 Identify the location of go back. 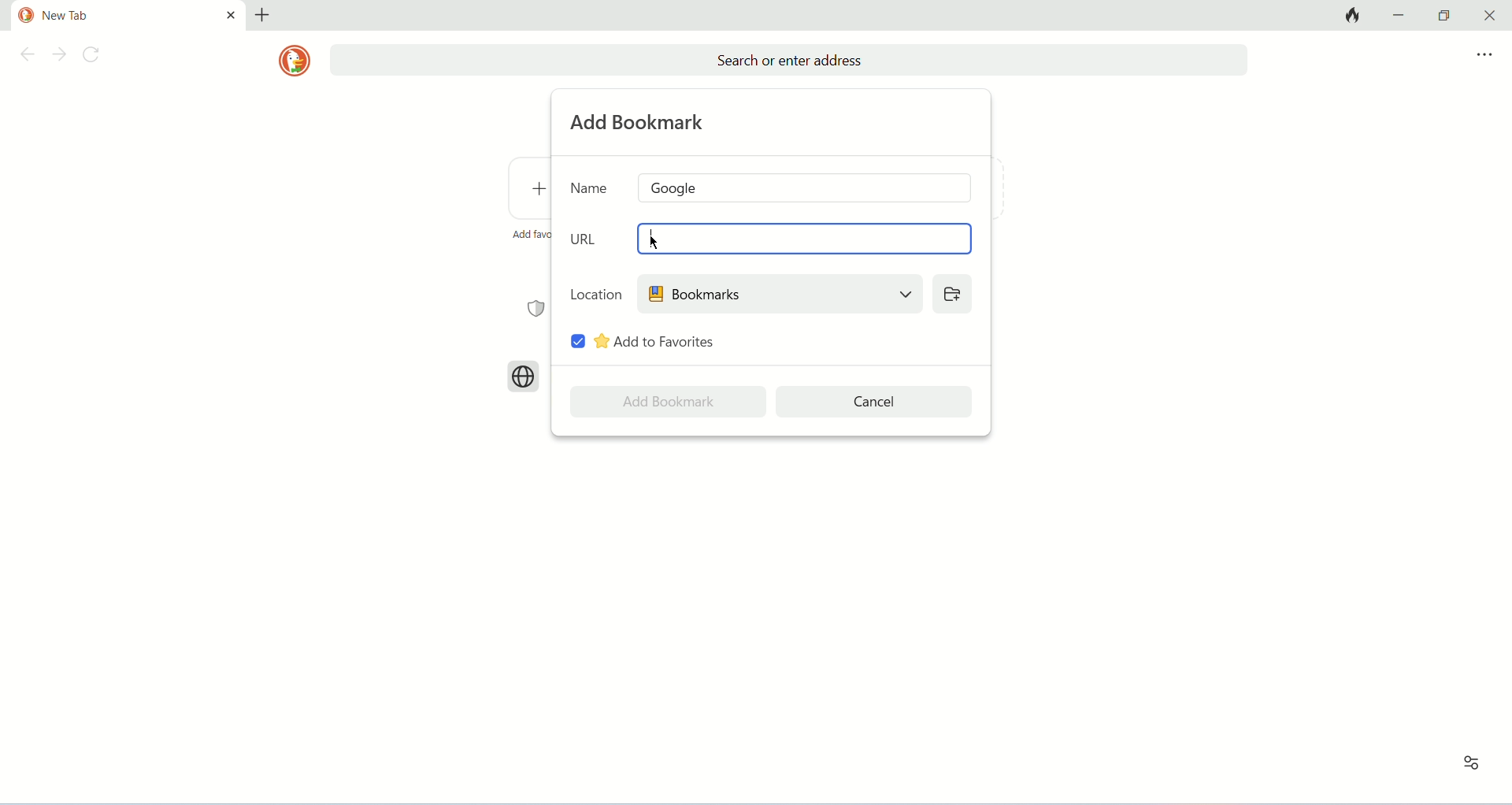
(24, 57).